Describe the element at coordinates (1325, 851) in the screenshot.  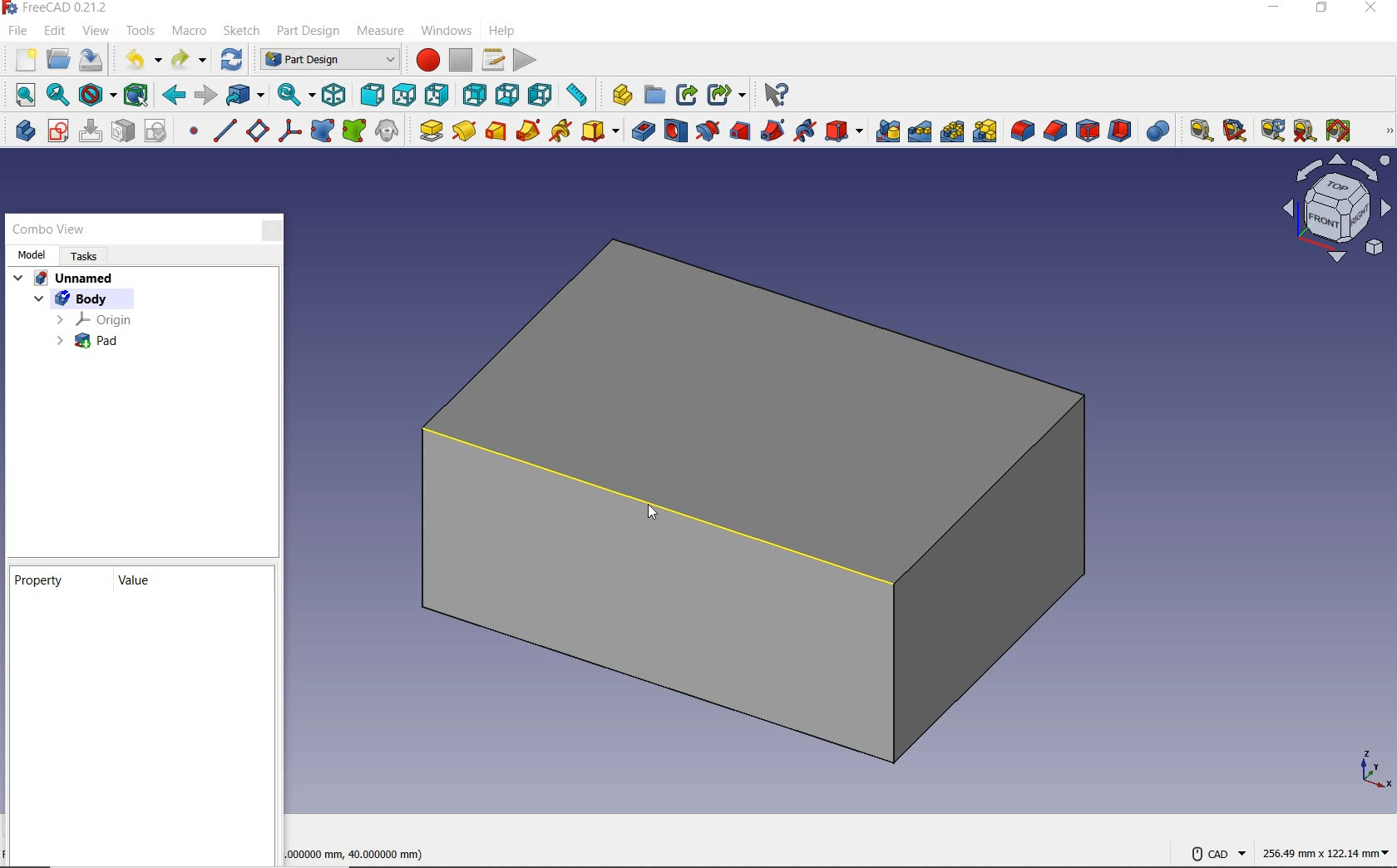
I see `256.49 mm x 122.14 mm` at that location.